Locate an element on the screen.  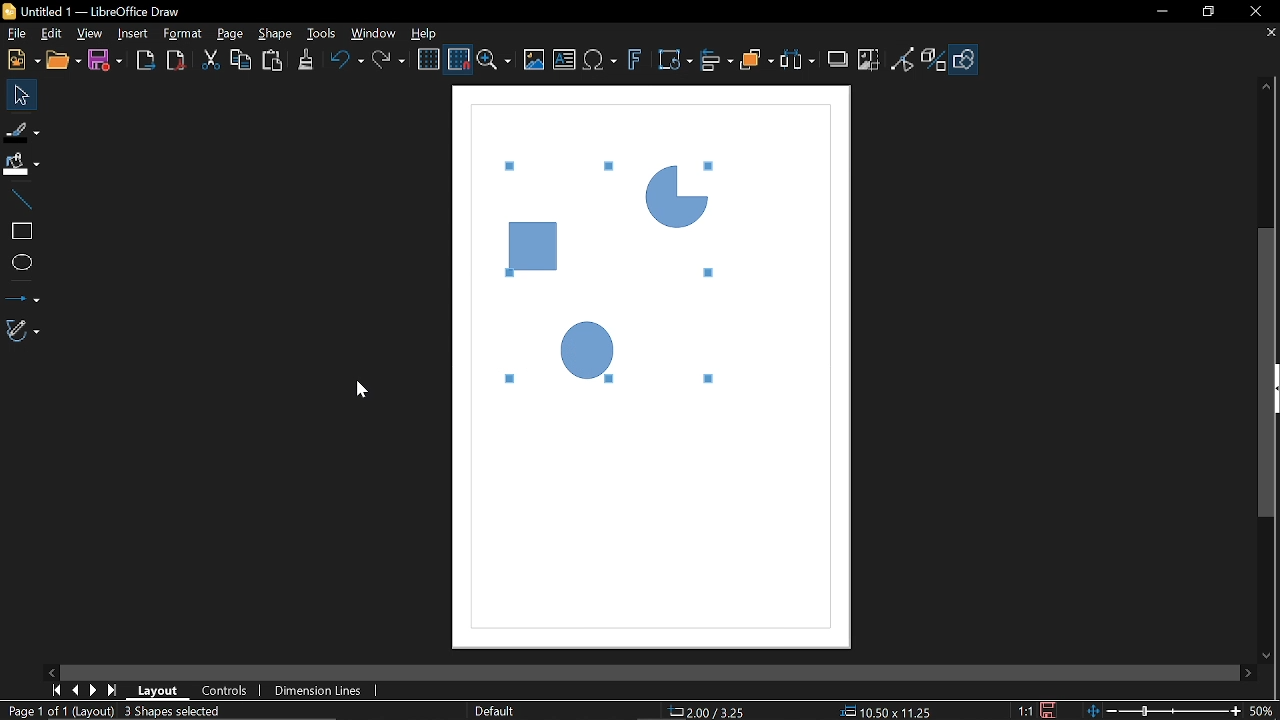
Format is located at coordinates (182, 34).